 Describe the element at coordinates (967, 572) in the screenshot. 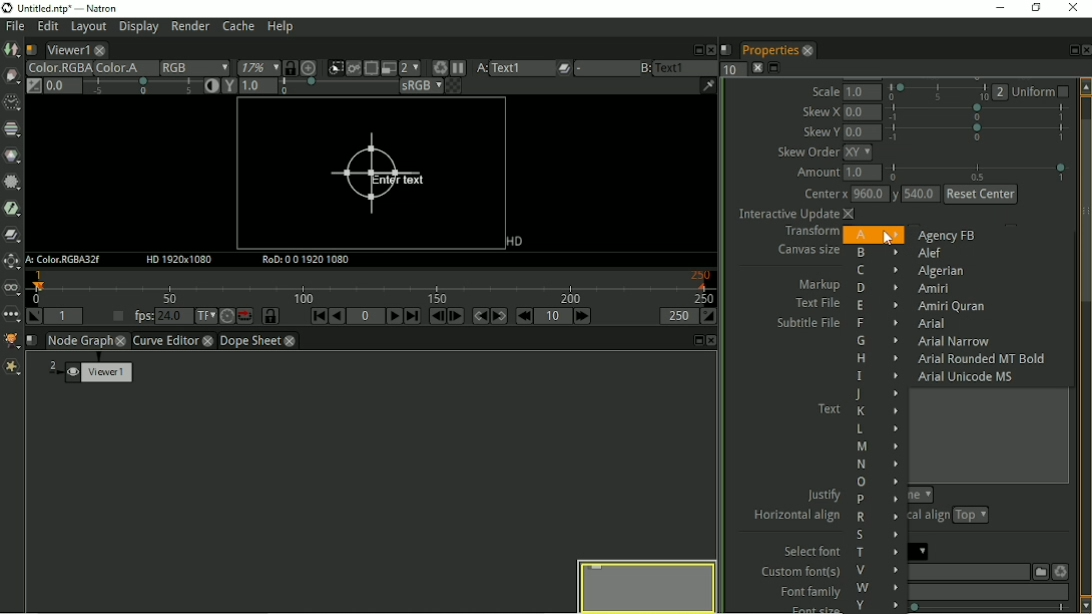

I see `file path` at that location.